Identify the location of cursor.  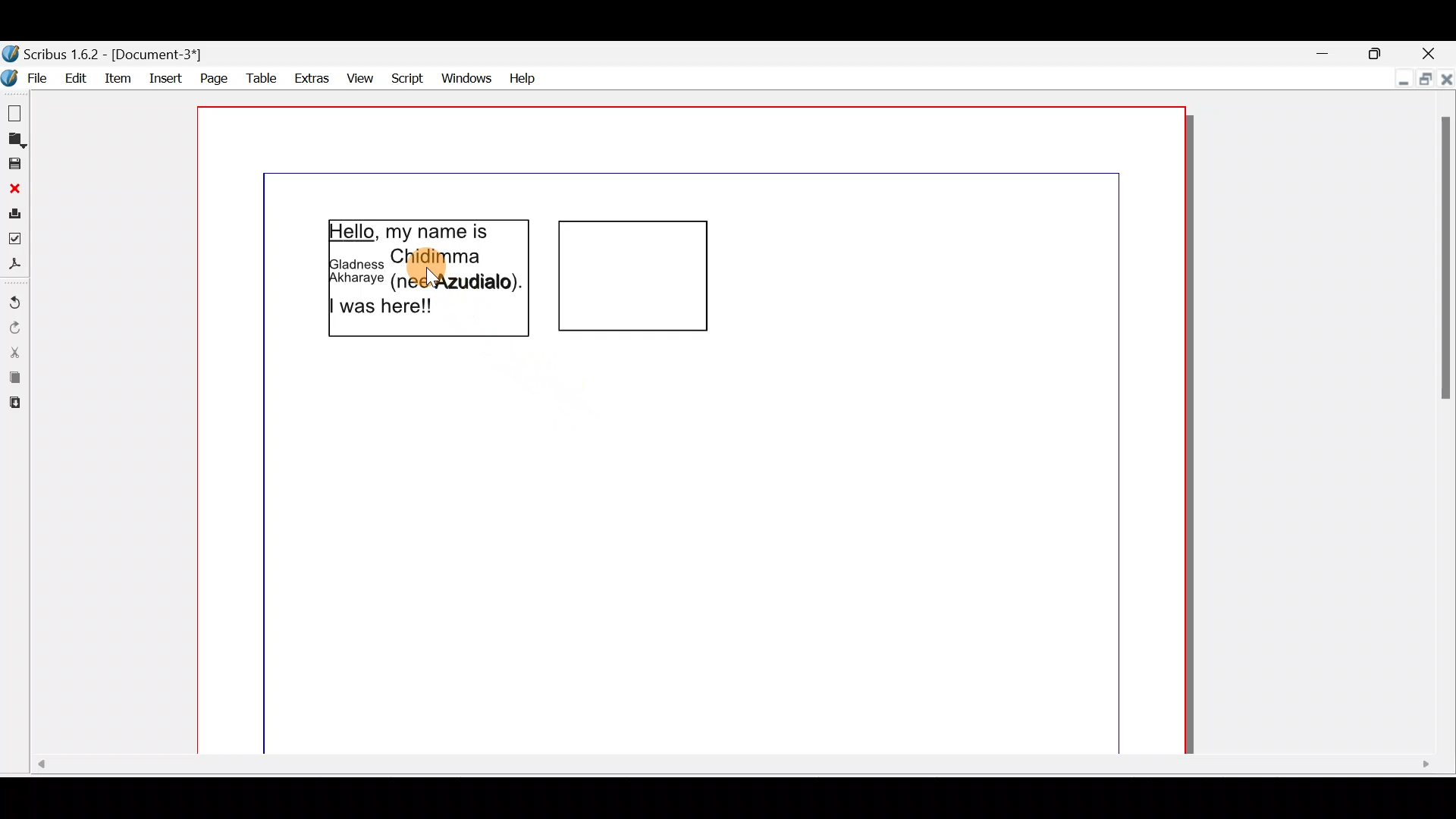
(430, 280).